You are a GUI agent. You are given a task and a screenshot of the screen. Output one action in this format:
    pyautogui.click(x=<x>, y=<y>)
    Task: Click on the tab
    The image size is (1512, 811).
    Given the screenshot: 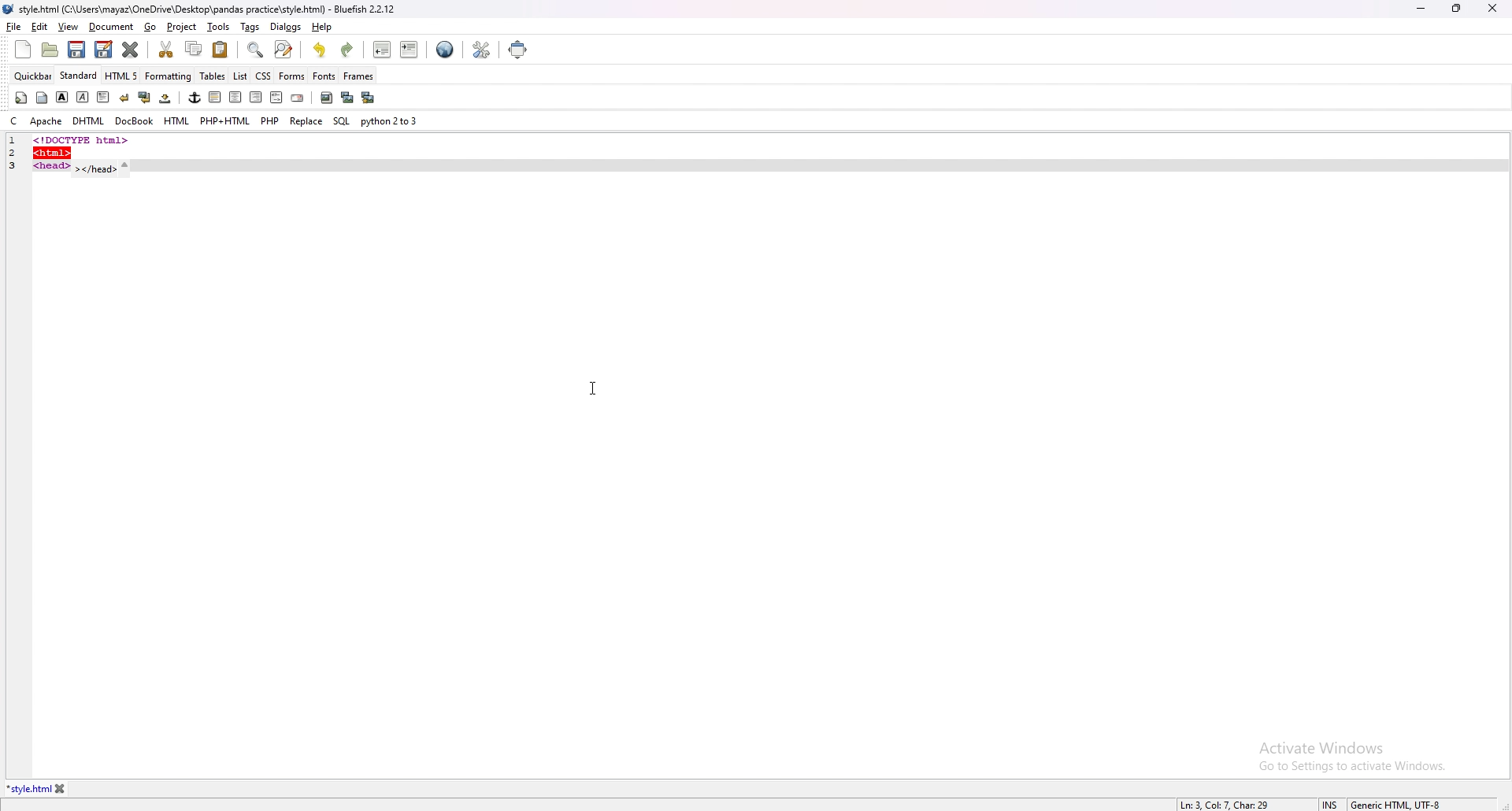 What is the action you would take?
    pyautogui.click(x=28, y=789)
    